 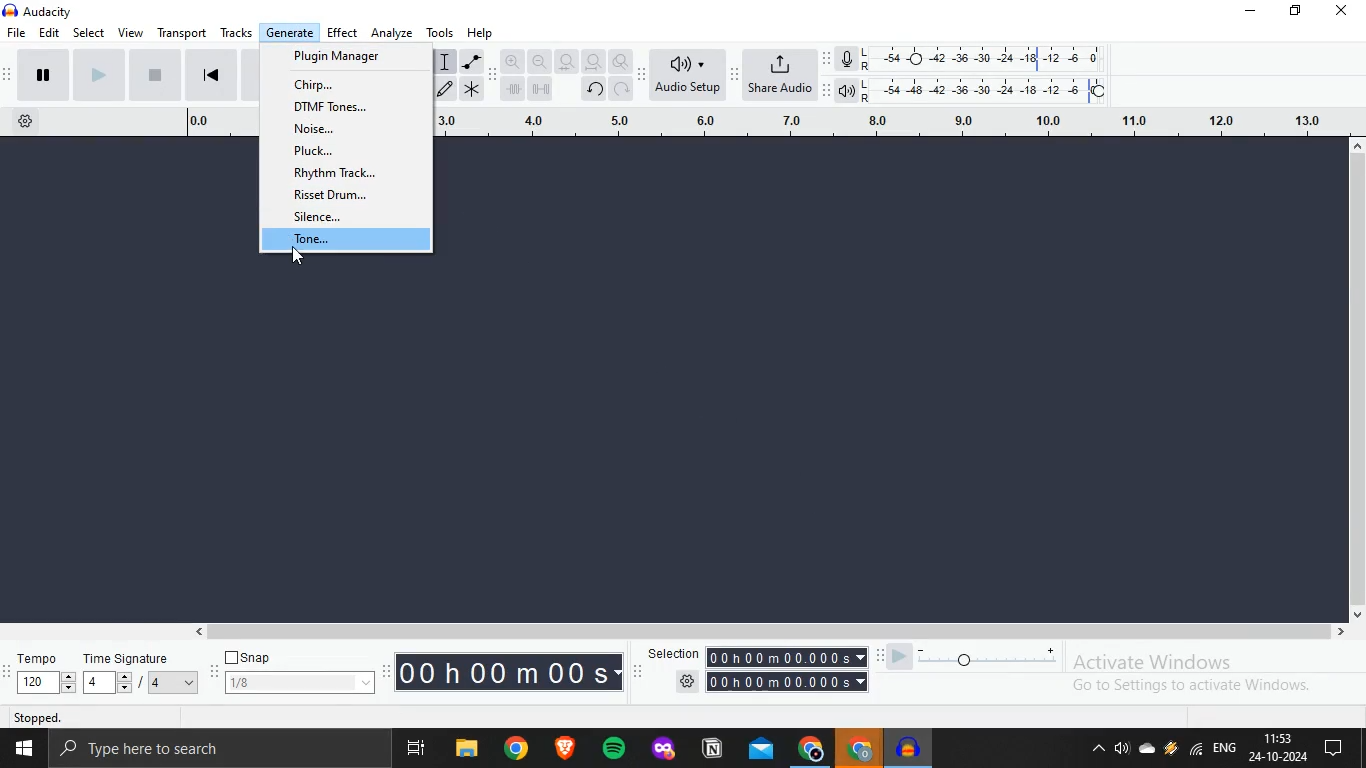 I want to click on Maximize, so click(x=1299, y=13).